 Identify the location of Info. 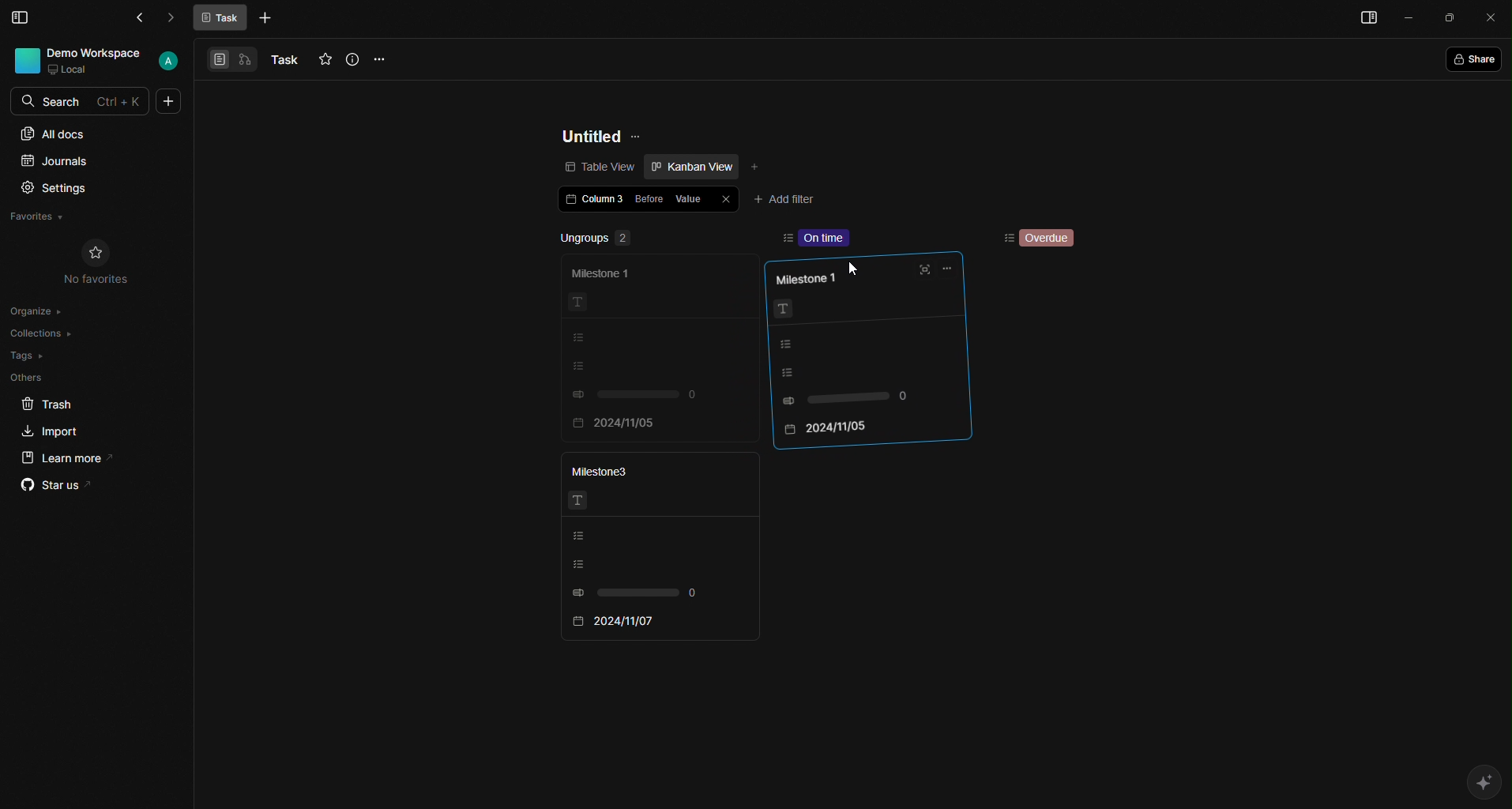
(351, 58).